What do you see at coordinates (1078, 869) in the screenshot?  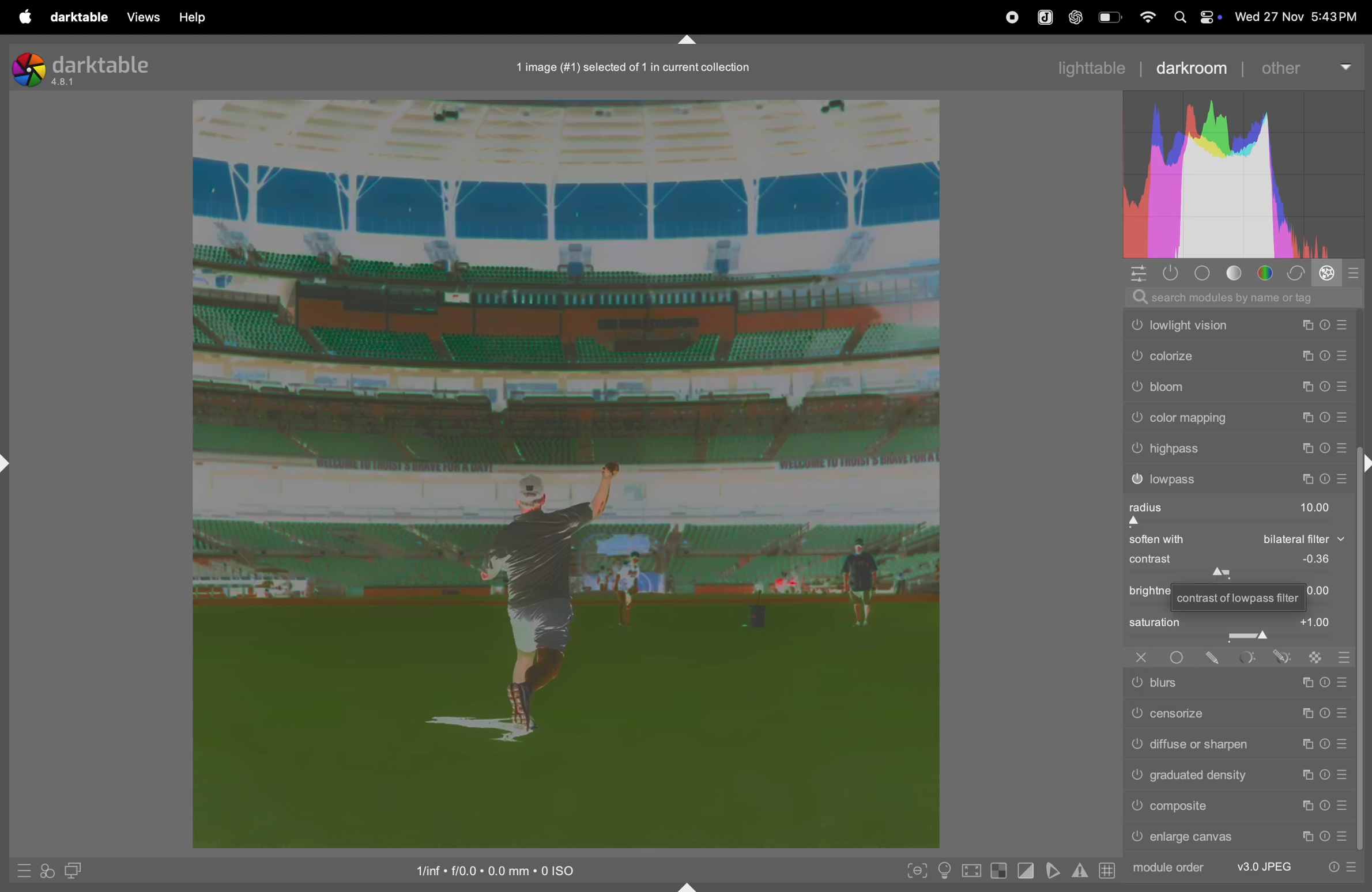 I see `indicators` at bounding box center [1078, 869].